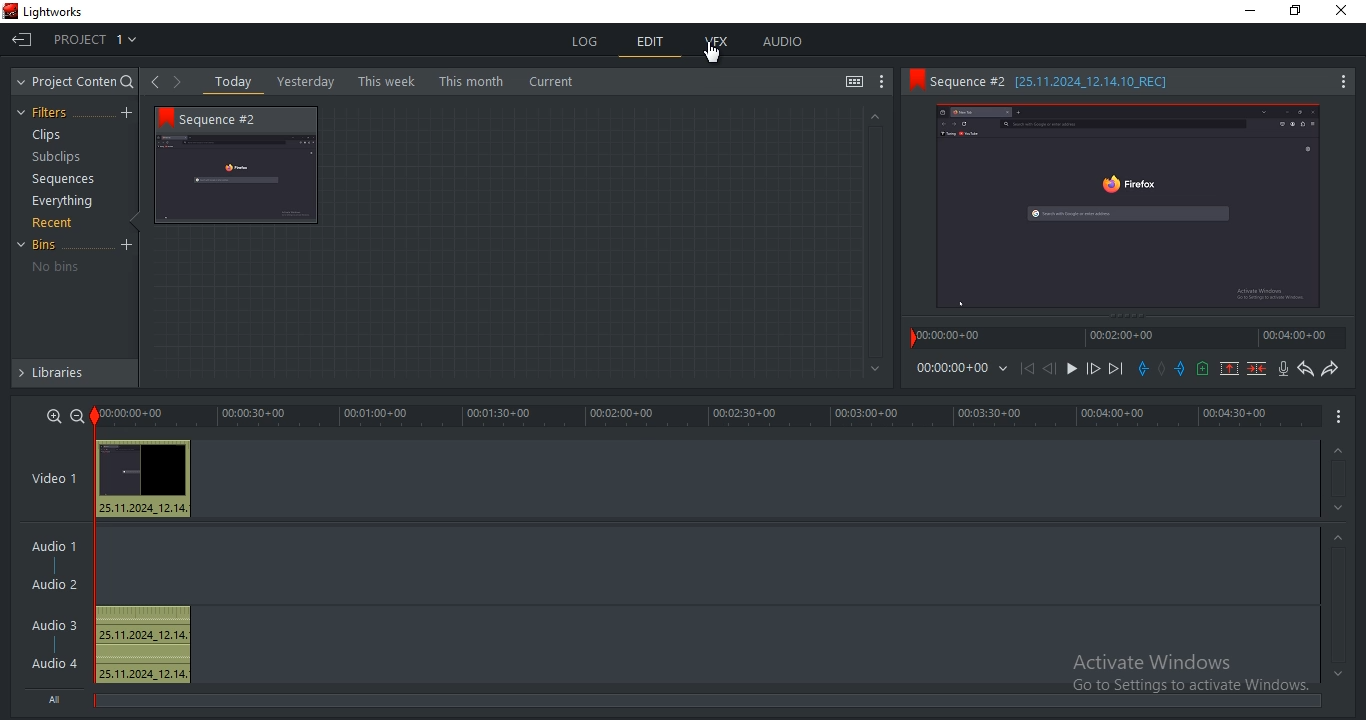 This screenshot has height=720, width=1366. I want to click on timeline, so click(1130, 334).